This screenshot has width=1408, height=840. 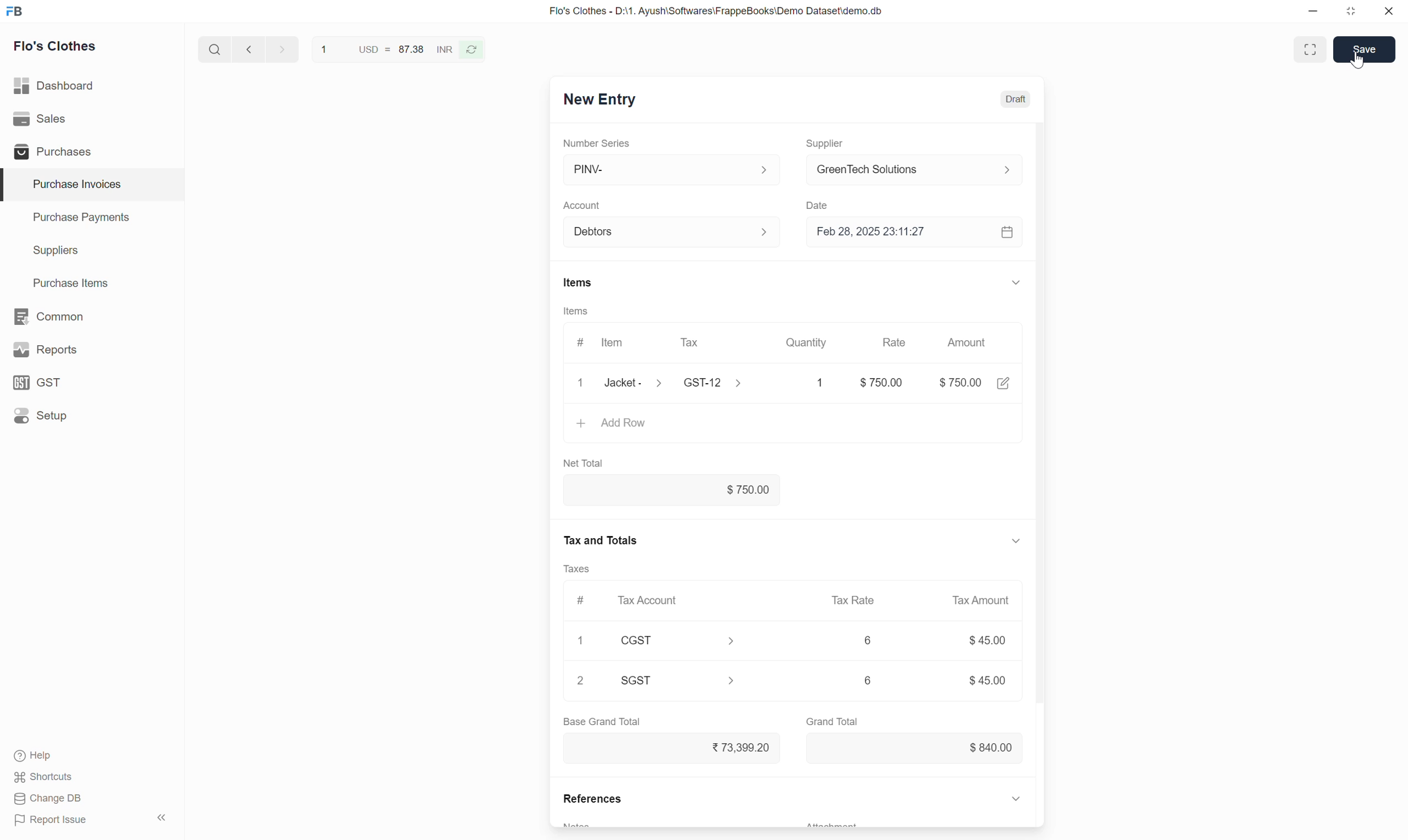 I want to click on Add Row, so click(x=793, y=425).